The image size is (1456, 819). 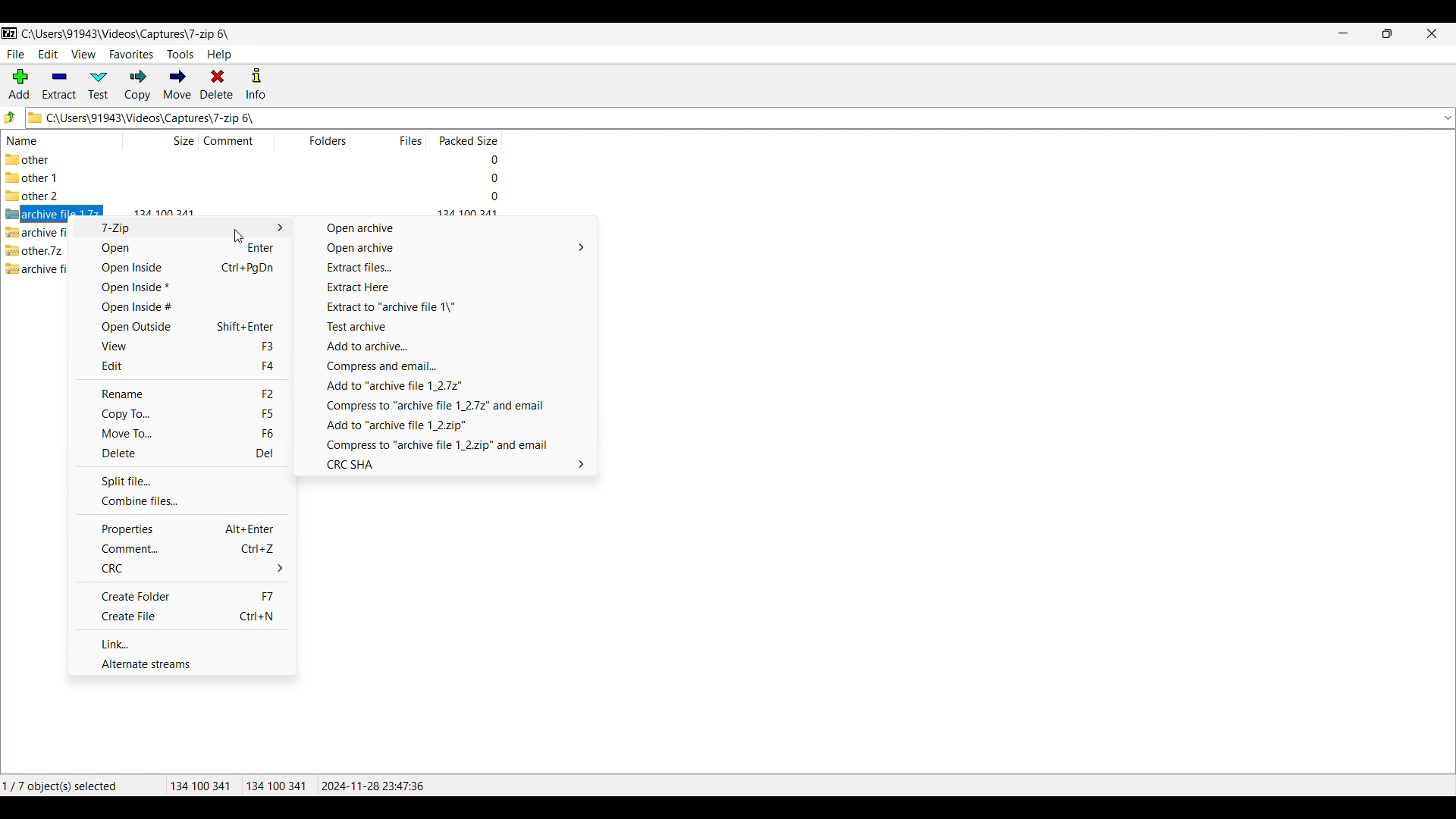 What do you see at coordinates (466, 139) in the screenshot?
I see `Packed size column` at bounding box center [466, 139].